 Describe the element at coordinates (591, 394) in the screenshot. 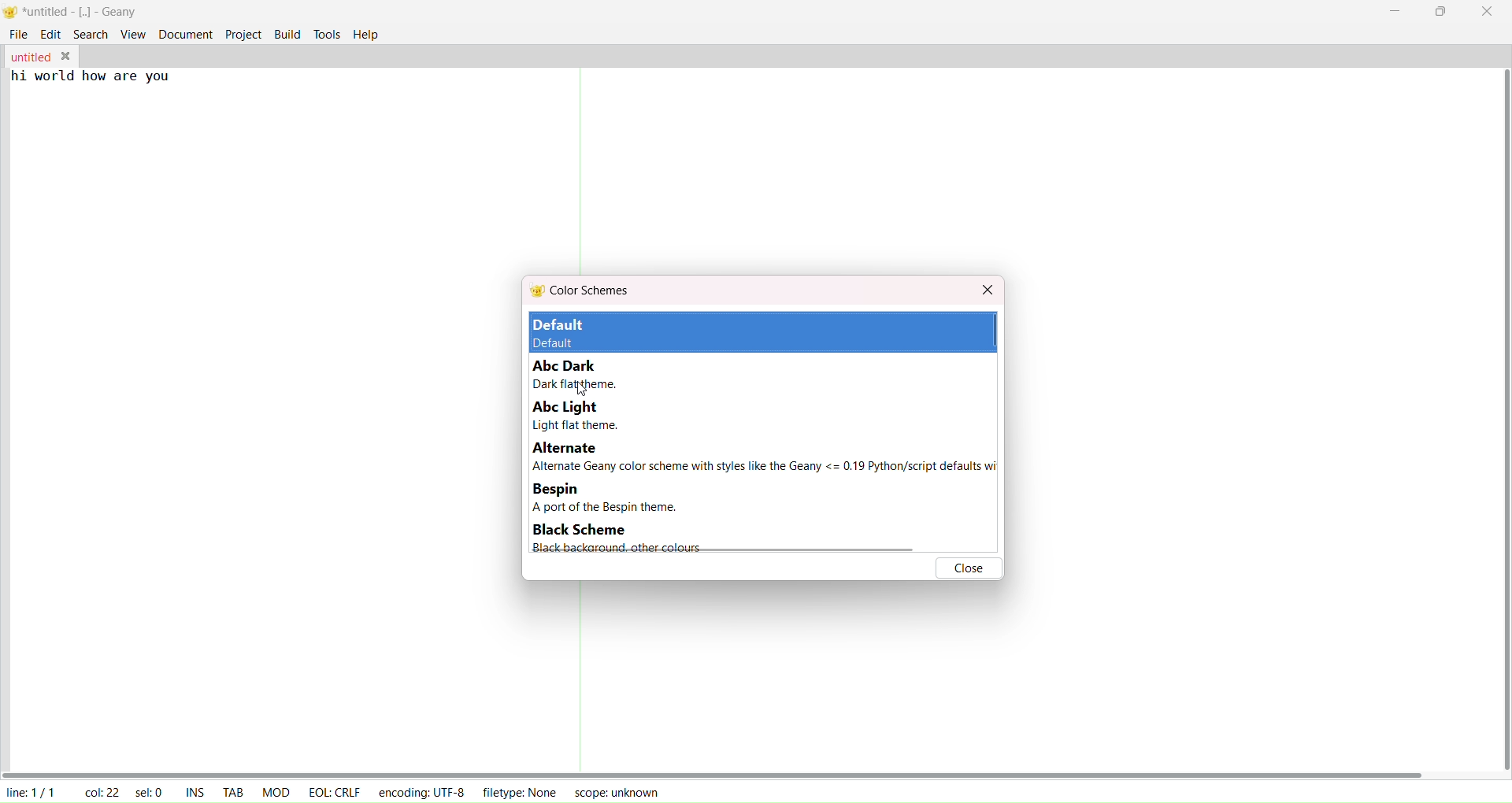

I see `cursor` at that location.